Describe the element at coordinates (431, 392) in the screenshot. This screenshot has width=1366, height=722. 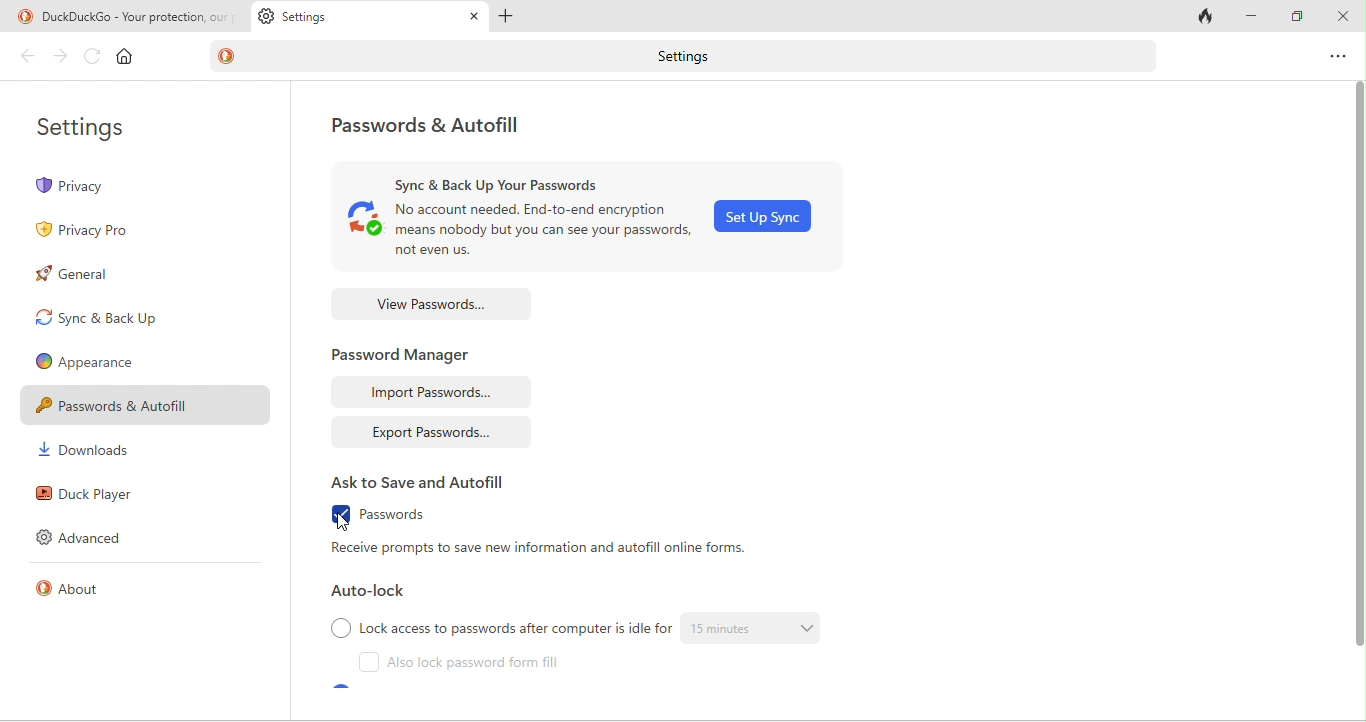
I see `import passwords` at that location.